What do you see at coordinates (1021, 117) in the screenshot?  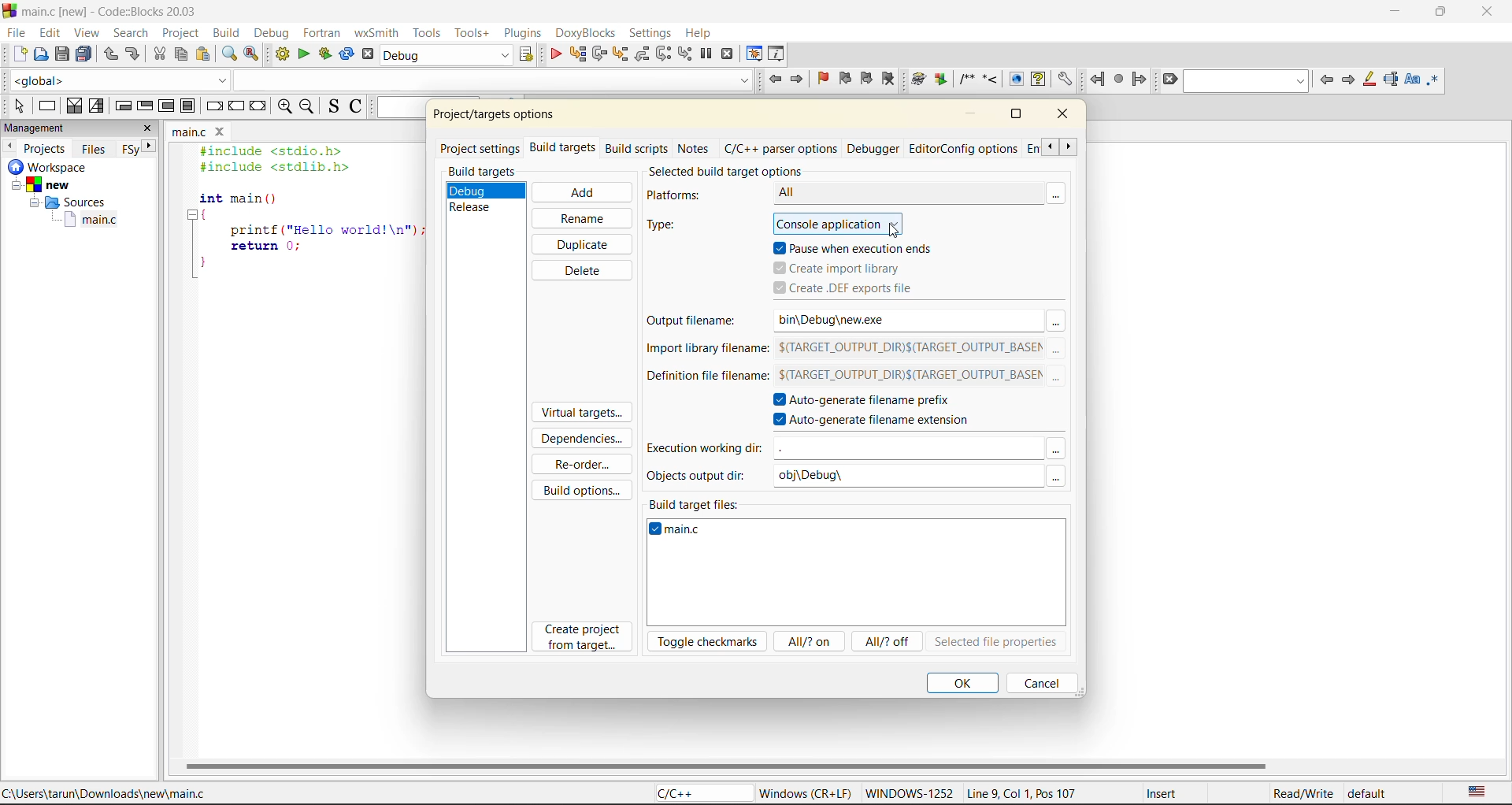 I see `maximize` at bounding box center [1021, 117].